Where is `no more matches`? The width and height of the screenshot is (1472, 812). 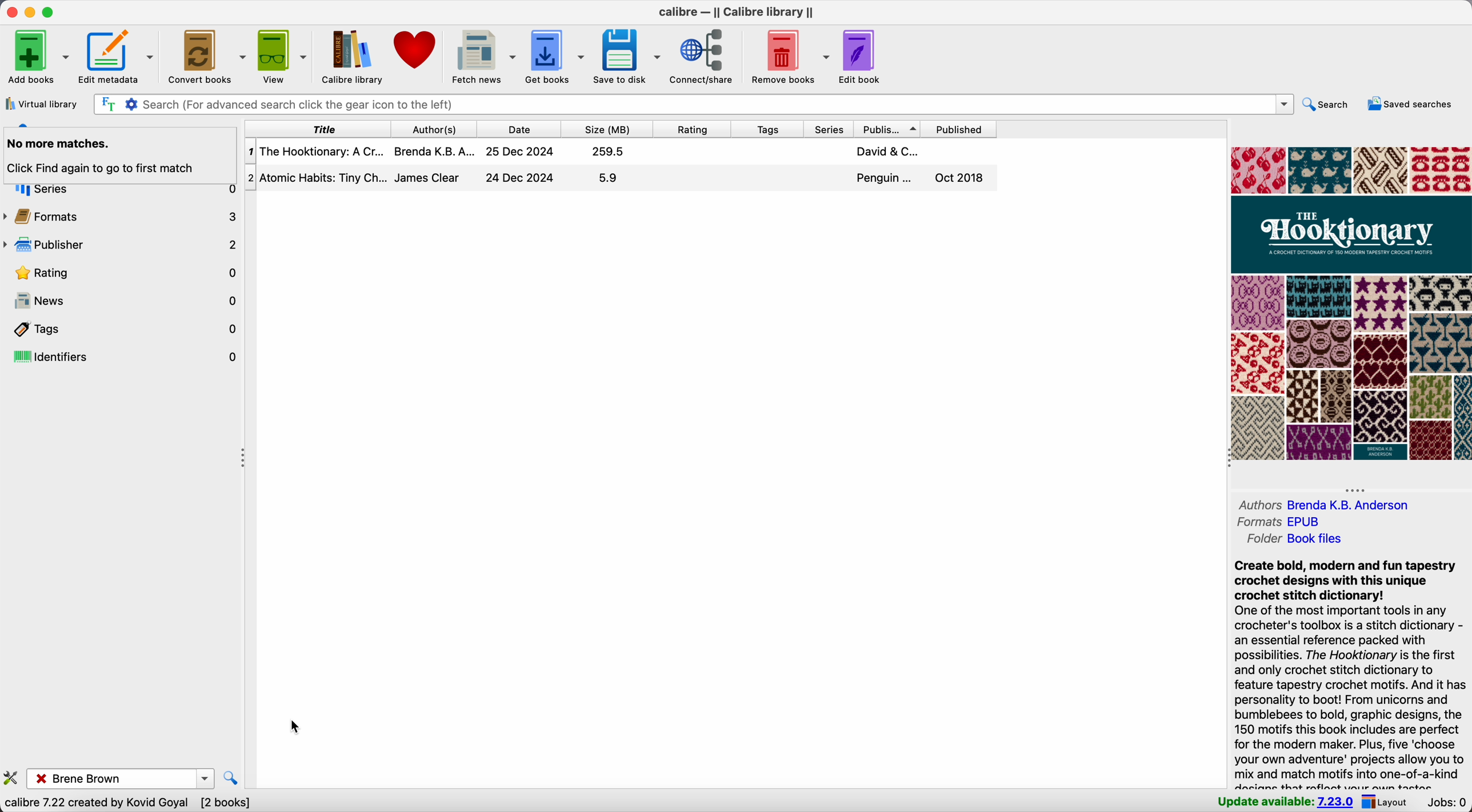 no more matches is located at coordinates (119, 146).